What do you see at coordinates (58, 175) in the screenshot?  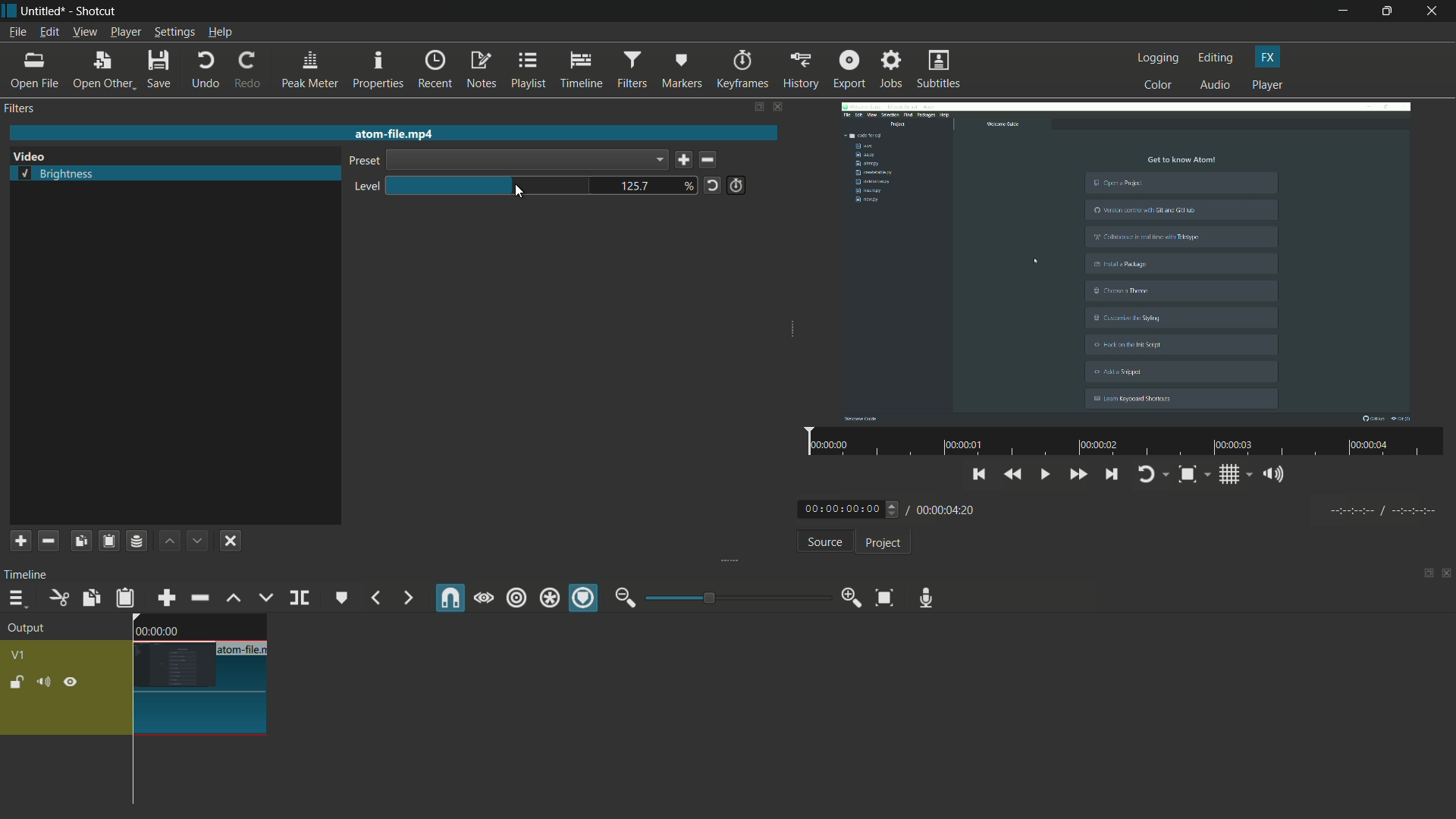 I see `brightness` at bounding box center [58, 175].